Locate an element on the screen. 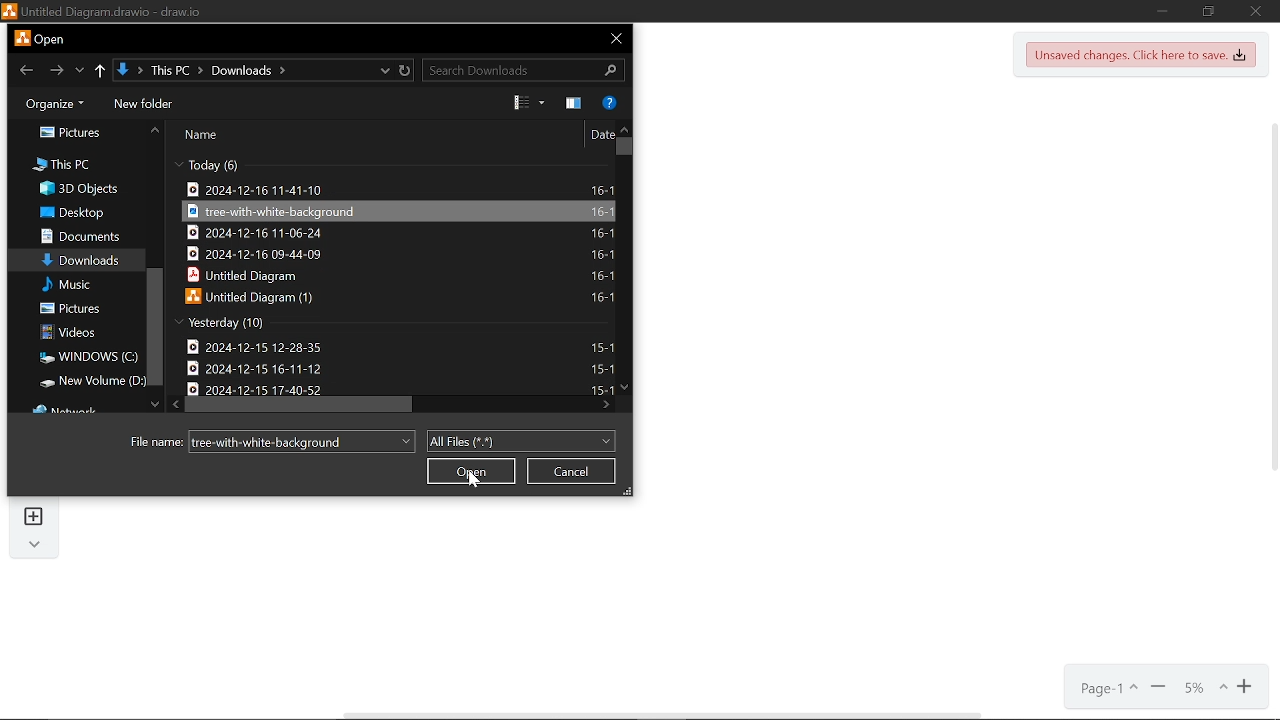  selected file  is located at coordinates (400, 210).